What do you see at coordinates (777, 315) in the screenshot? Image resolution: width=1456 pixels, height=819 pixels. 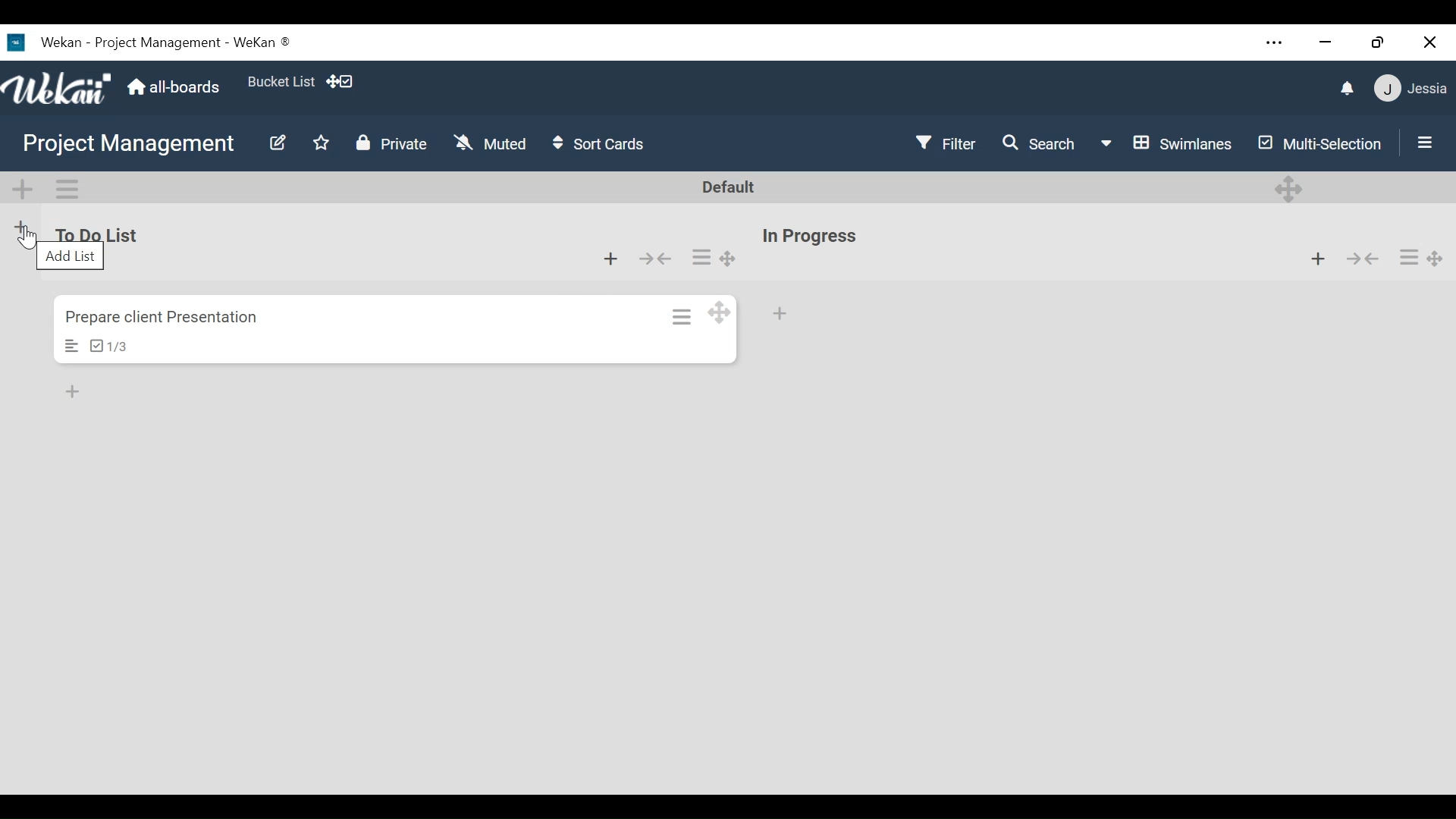 I see `Add card at the bottom of the list` at bounding box center [777, 315].